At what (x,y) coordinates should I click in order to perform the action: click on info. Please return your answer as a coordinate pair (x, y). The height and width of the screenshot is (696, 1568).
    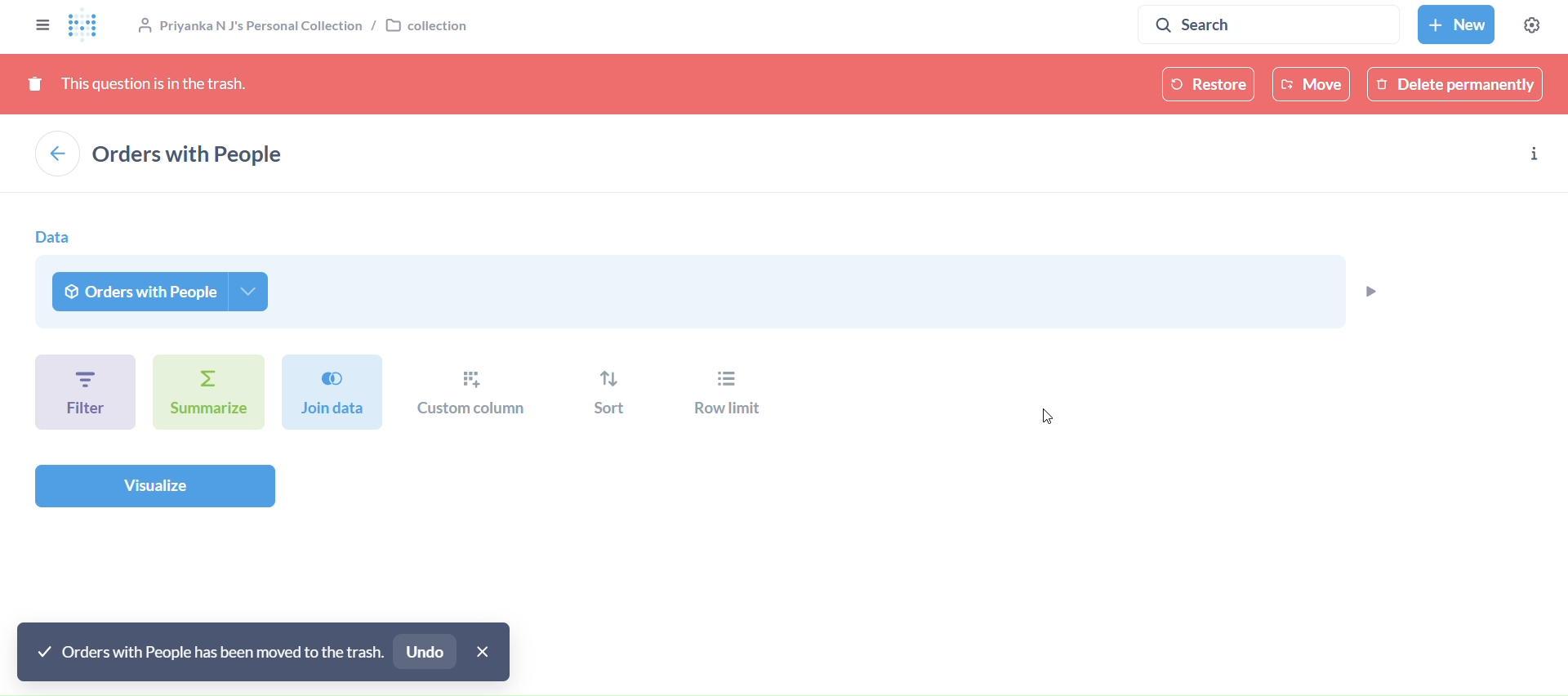
    Looking at the image, I should click on (1525, 151).